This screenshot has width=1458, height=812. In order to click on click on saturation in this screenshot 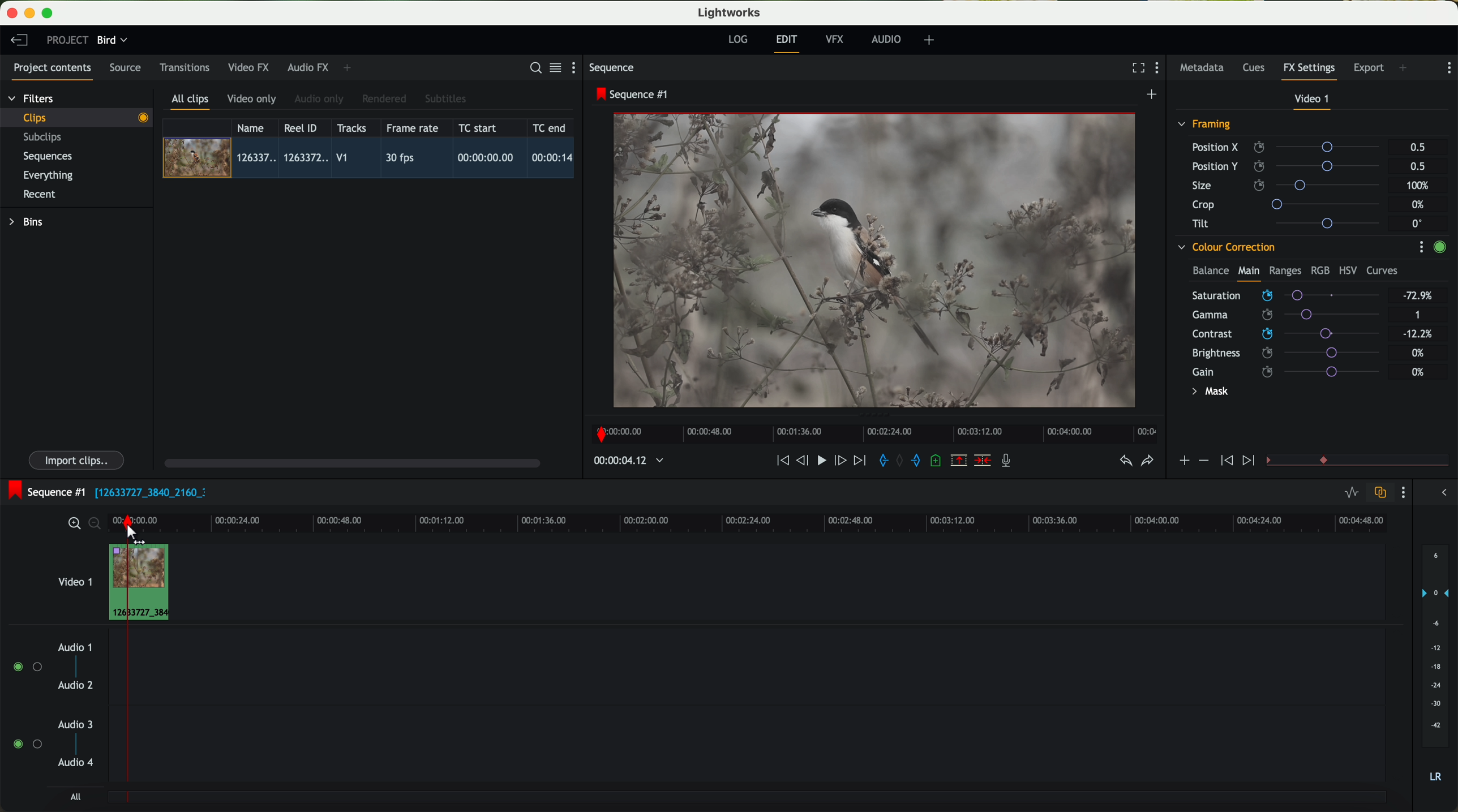, I will do `click(1280, 315)`.